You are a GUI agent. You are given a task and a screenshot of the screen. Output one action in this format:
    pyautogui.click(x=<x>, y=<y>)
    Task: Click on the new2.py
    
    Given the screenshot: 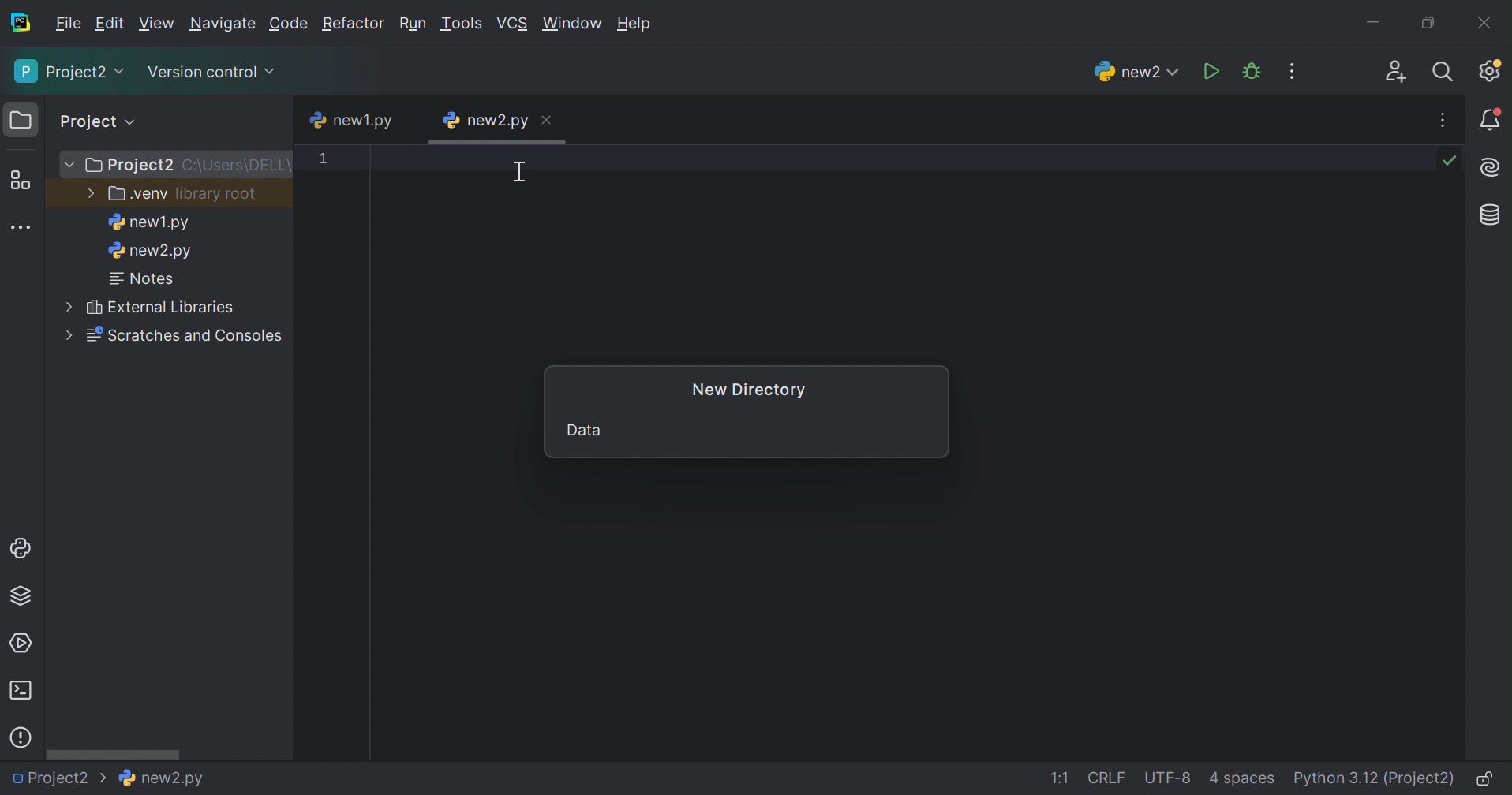 What is the action you would take?
    pyautogui.click(x=151, y=253)
    